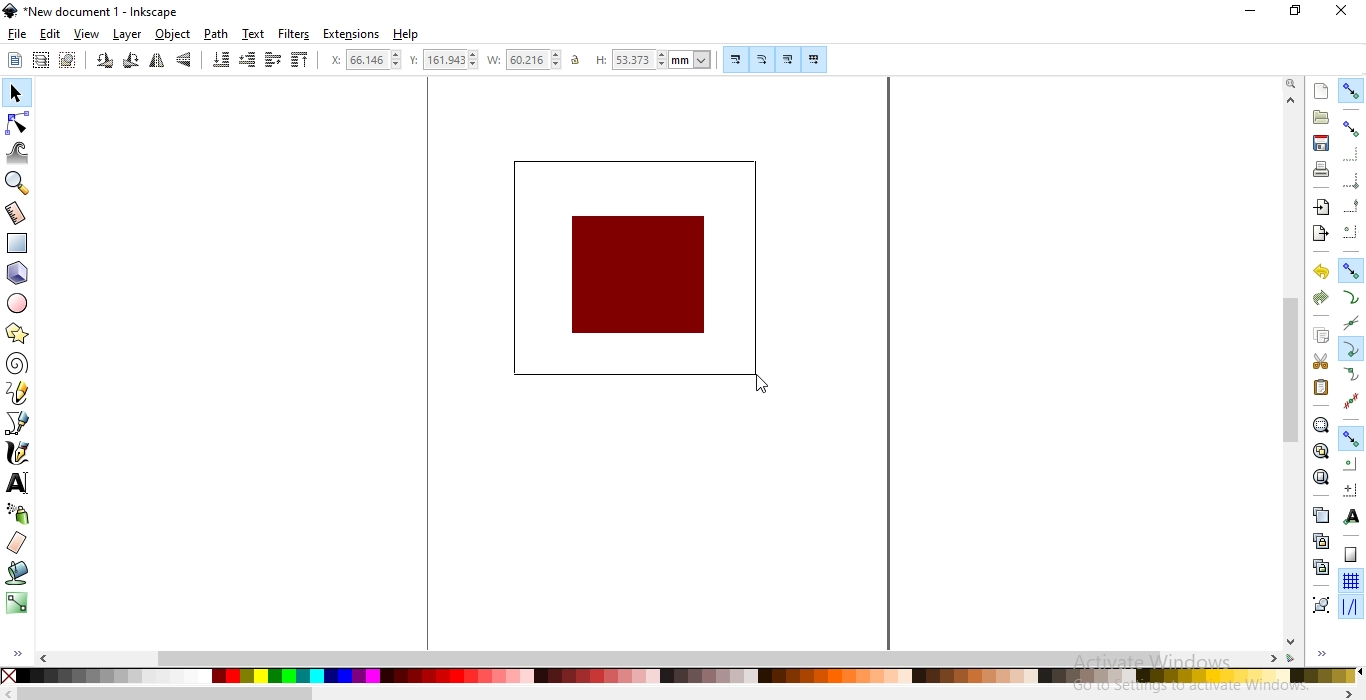 This screenshot has width=1366, height=700. Describe the element at coordinates (66, 61) in the screenshot. I see `deselect any selected objects or nodes` at that location.